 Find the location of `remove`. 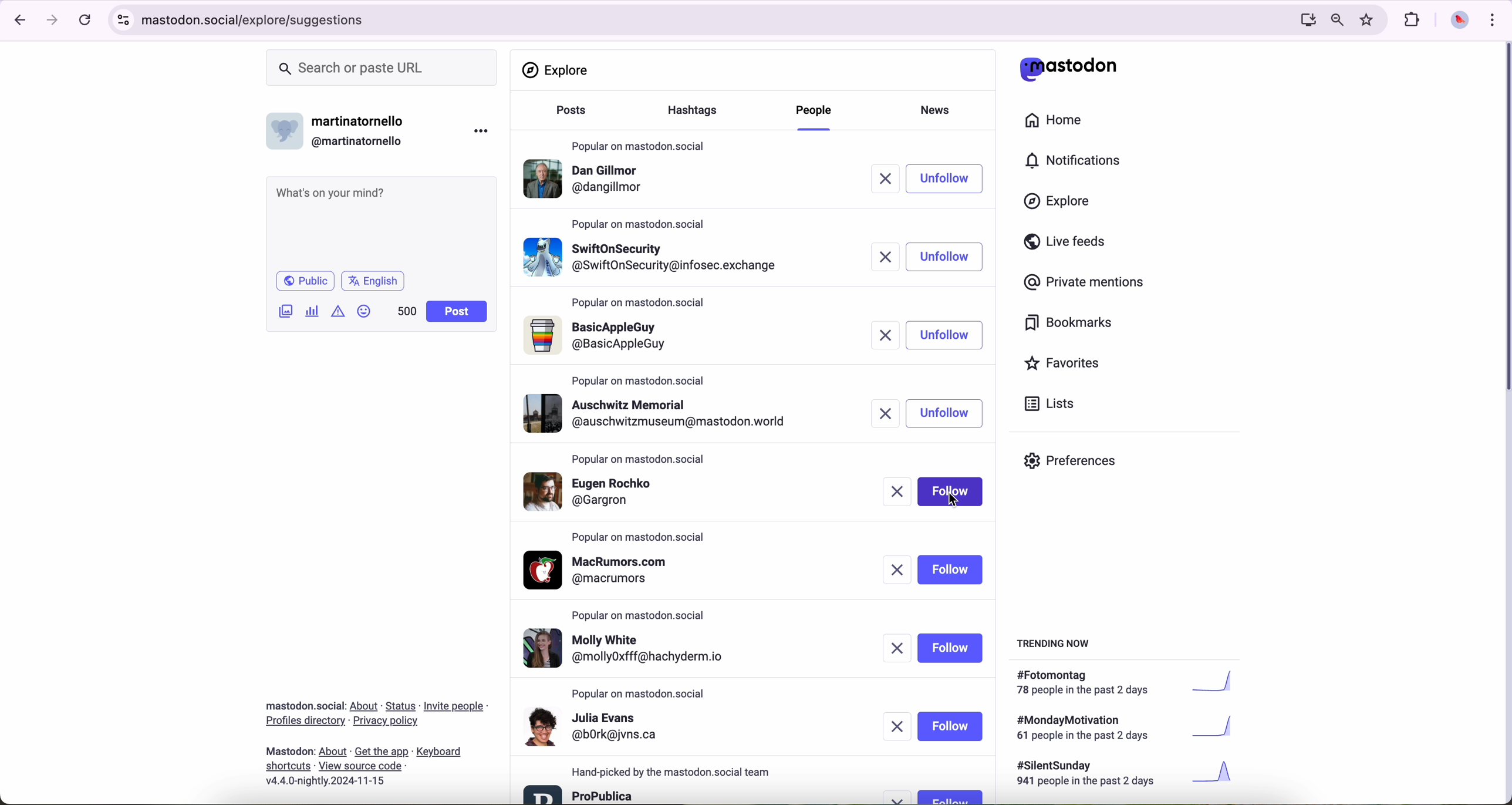

remove is located at coordinates (897, 570).